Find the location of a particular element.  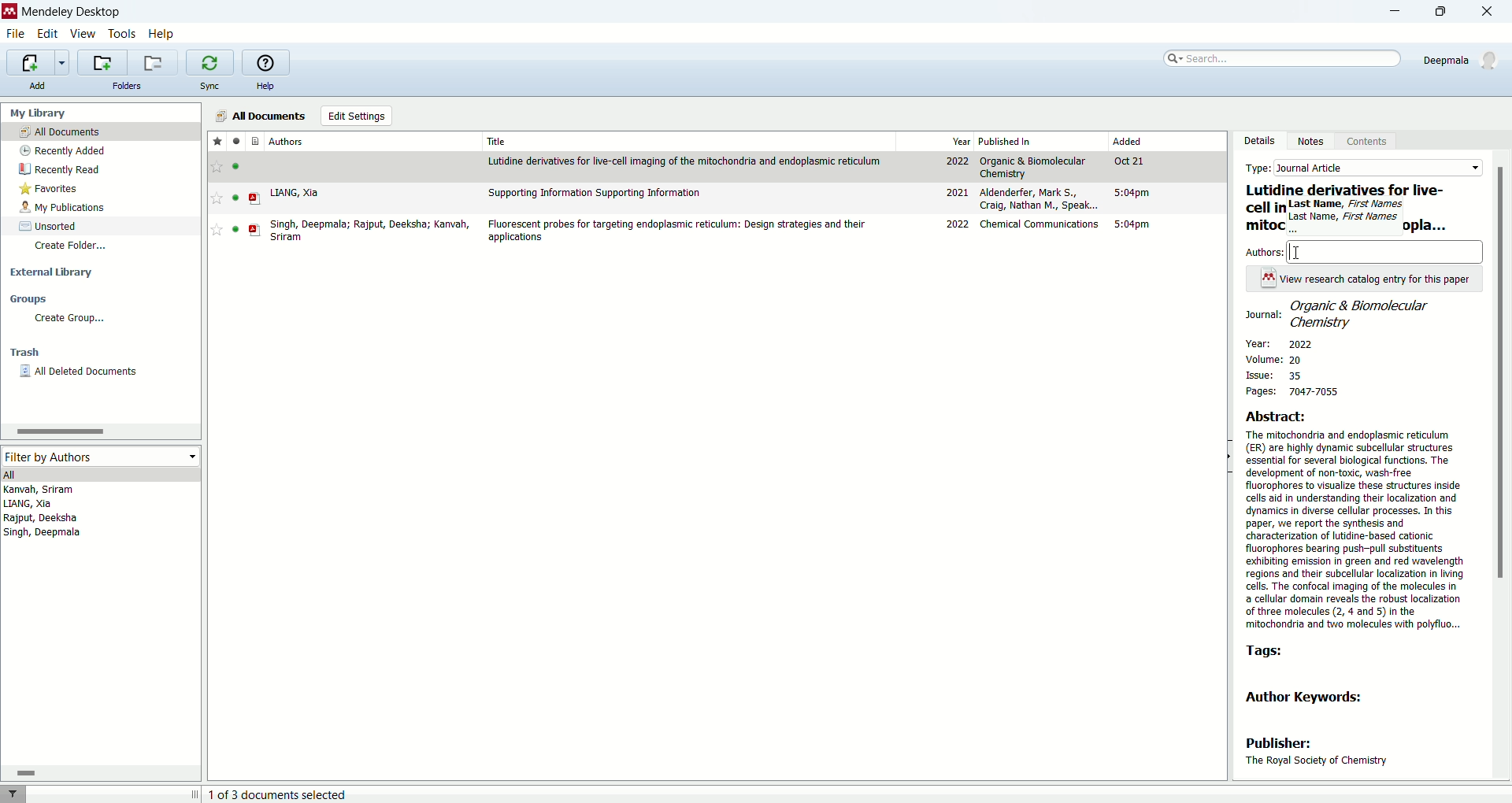

folders is located at coordinates (130, 85).